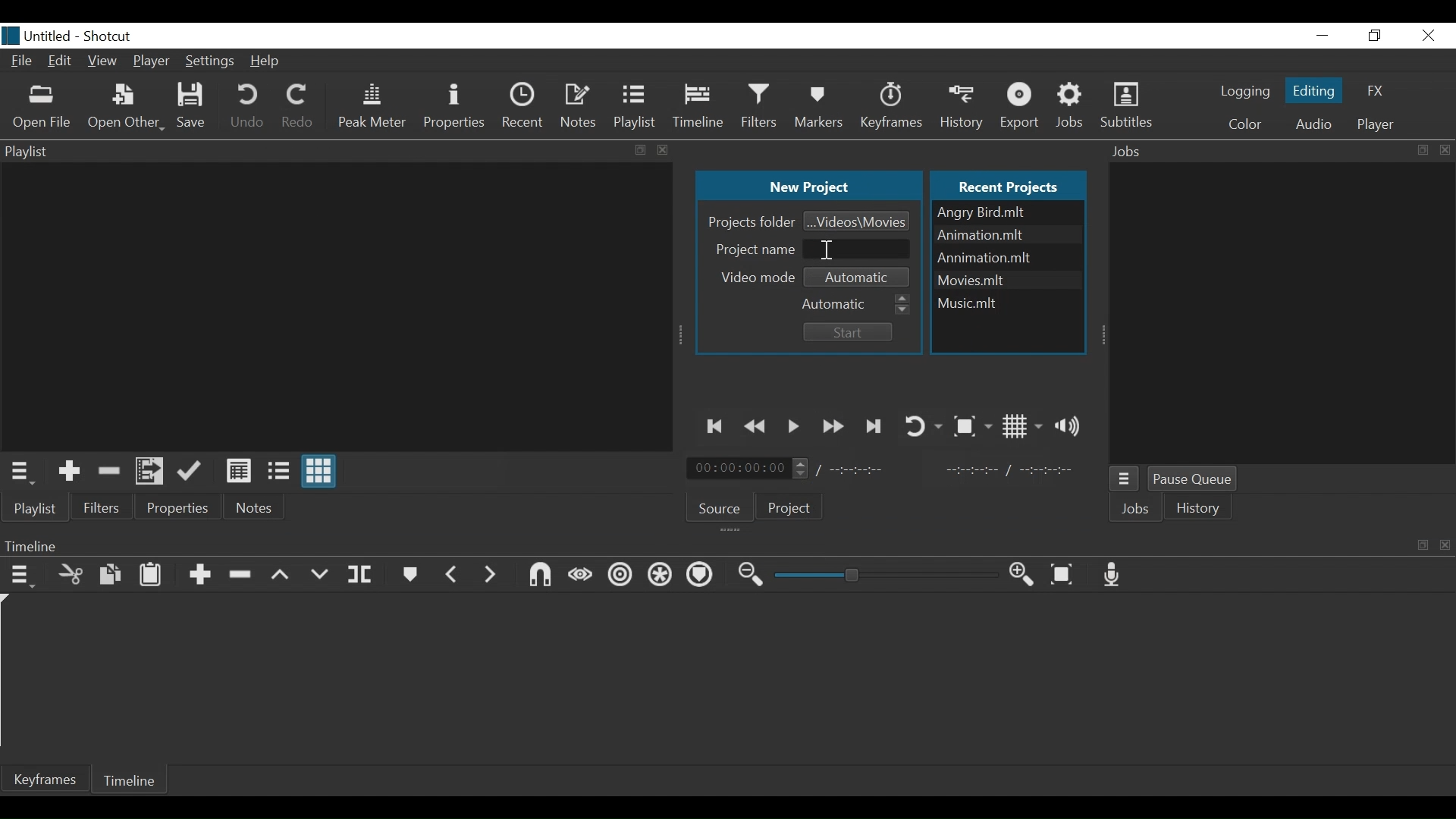  I want to click on Open Other, so click(125, 108).